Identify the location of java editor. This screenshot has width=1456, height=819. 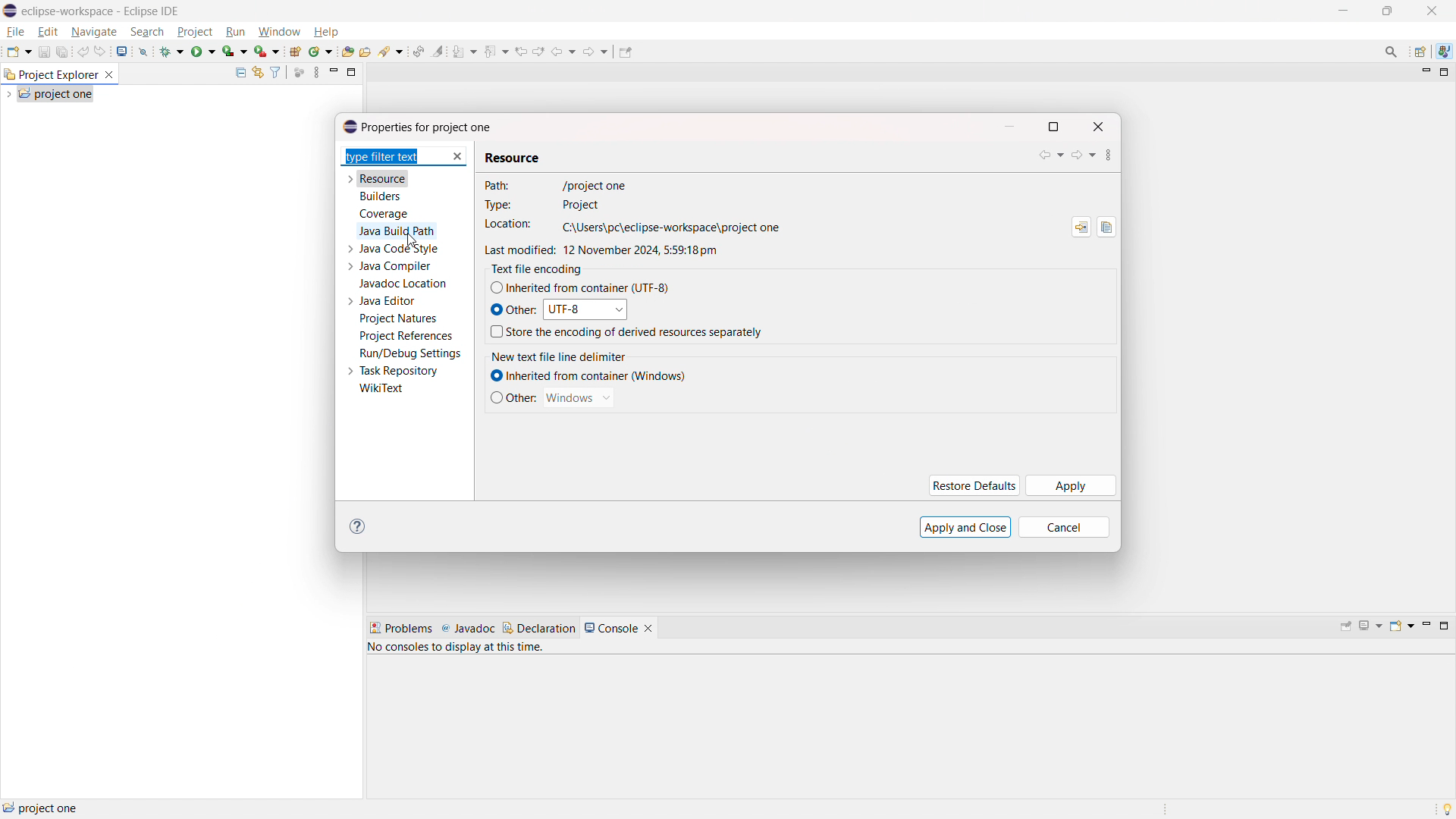
(388, 301).